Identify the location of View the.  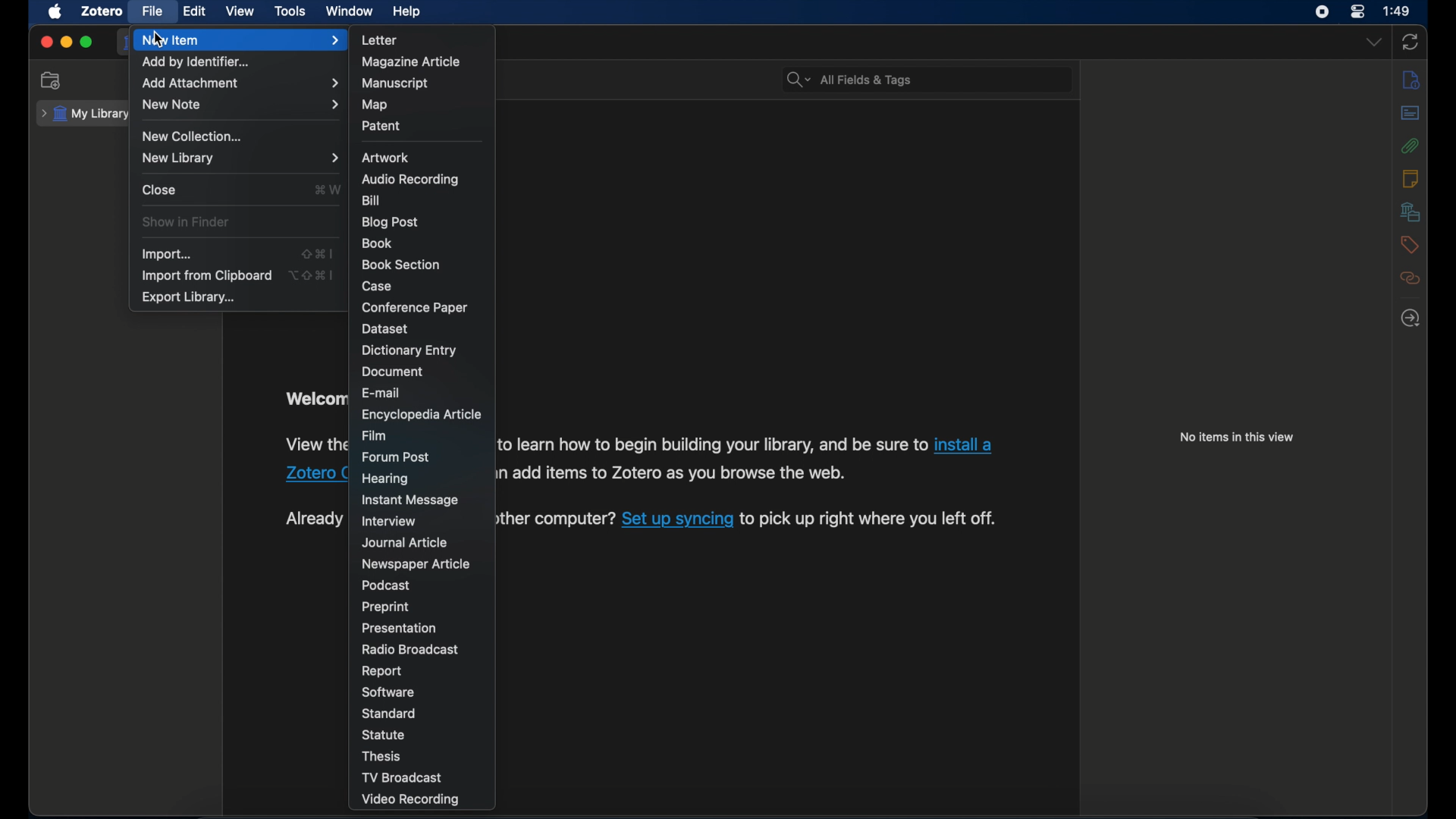
(313, 444).